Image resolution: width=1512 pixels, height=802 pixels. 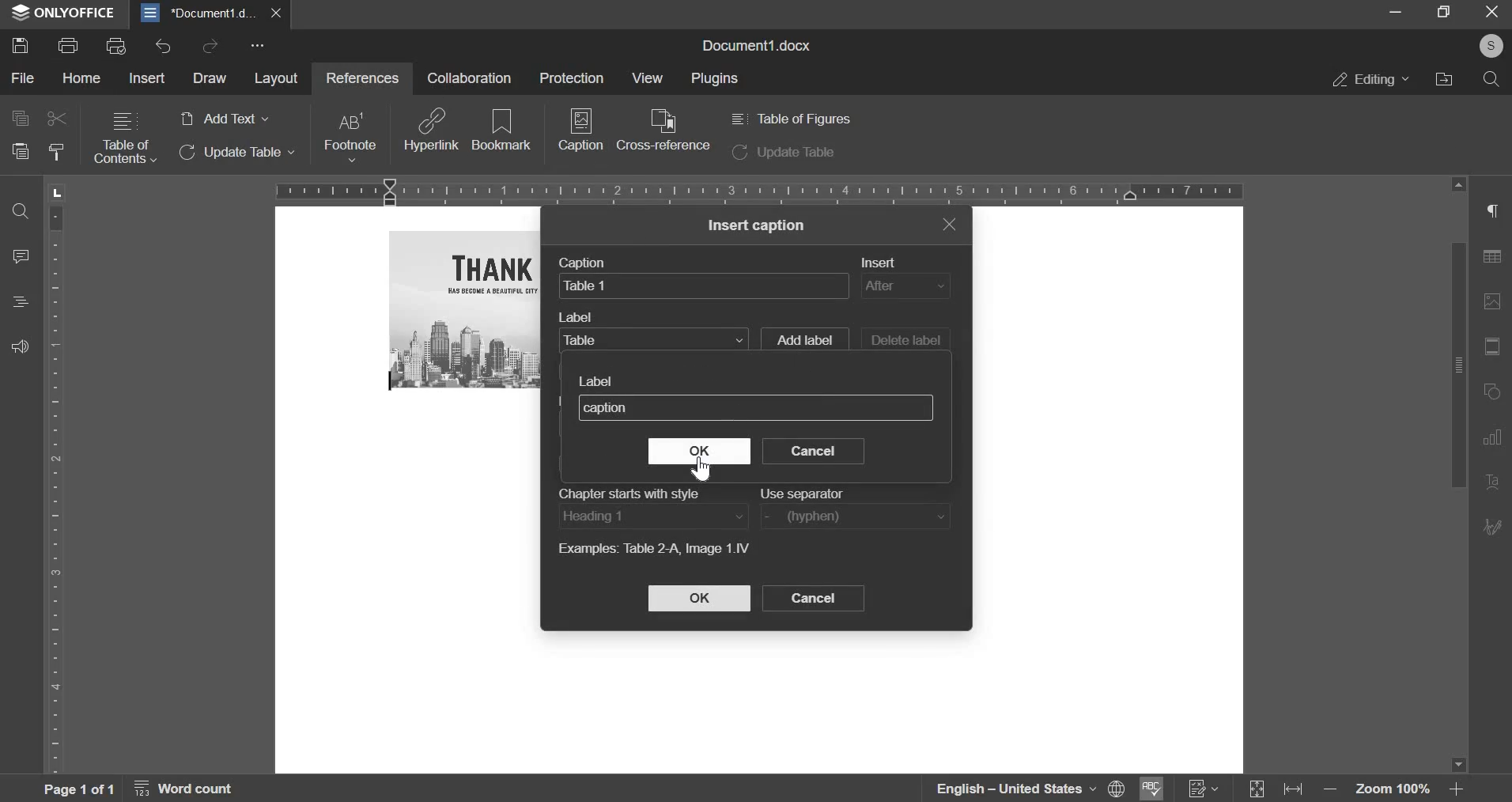 I want to click on close, so click(x=280, y=13).